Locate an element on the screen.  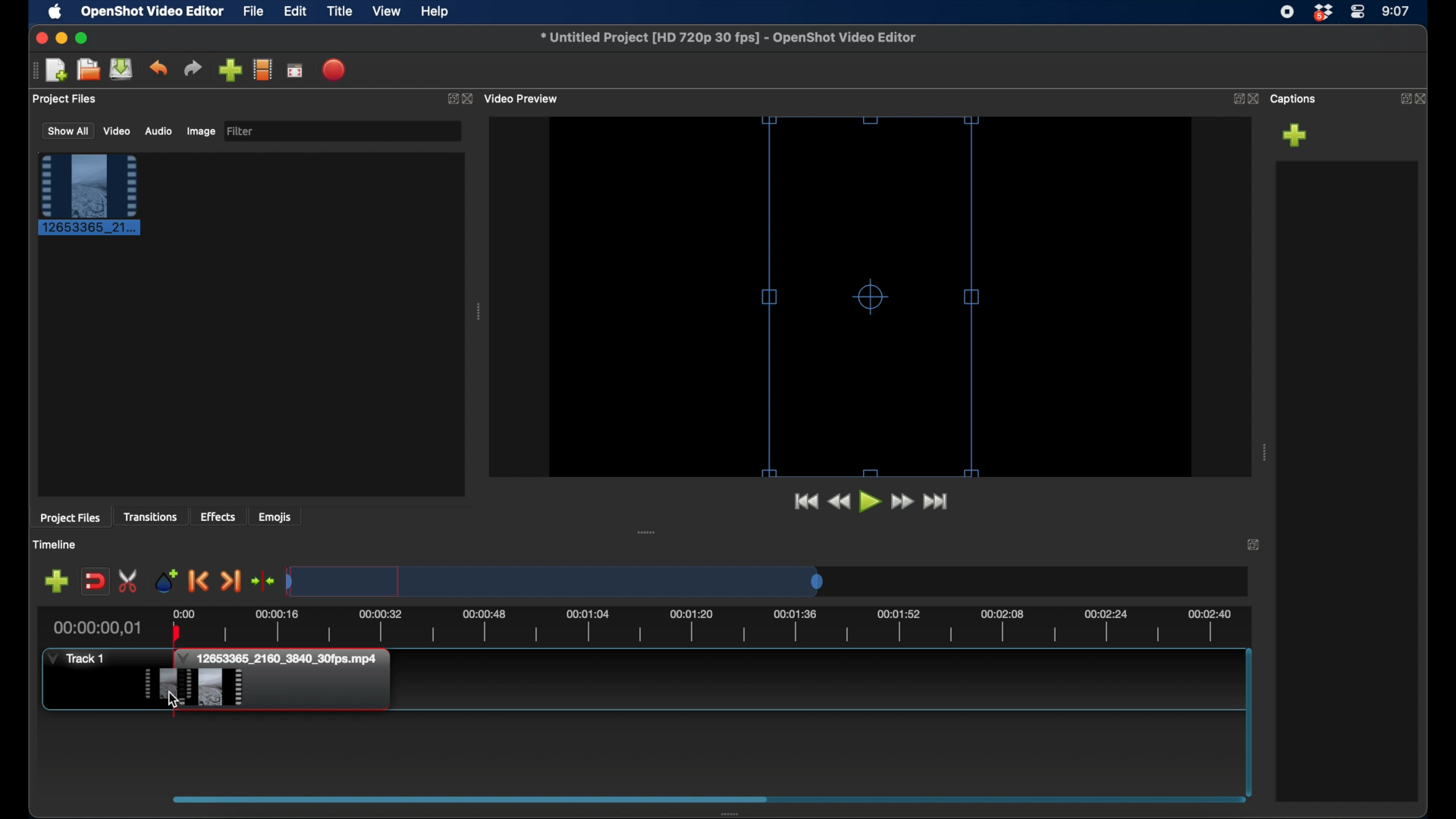
timeline scale is located at coordinates (554, 581).